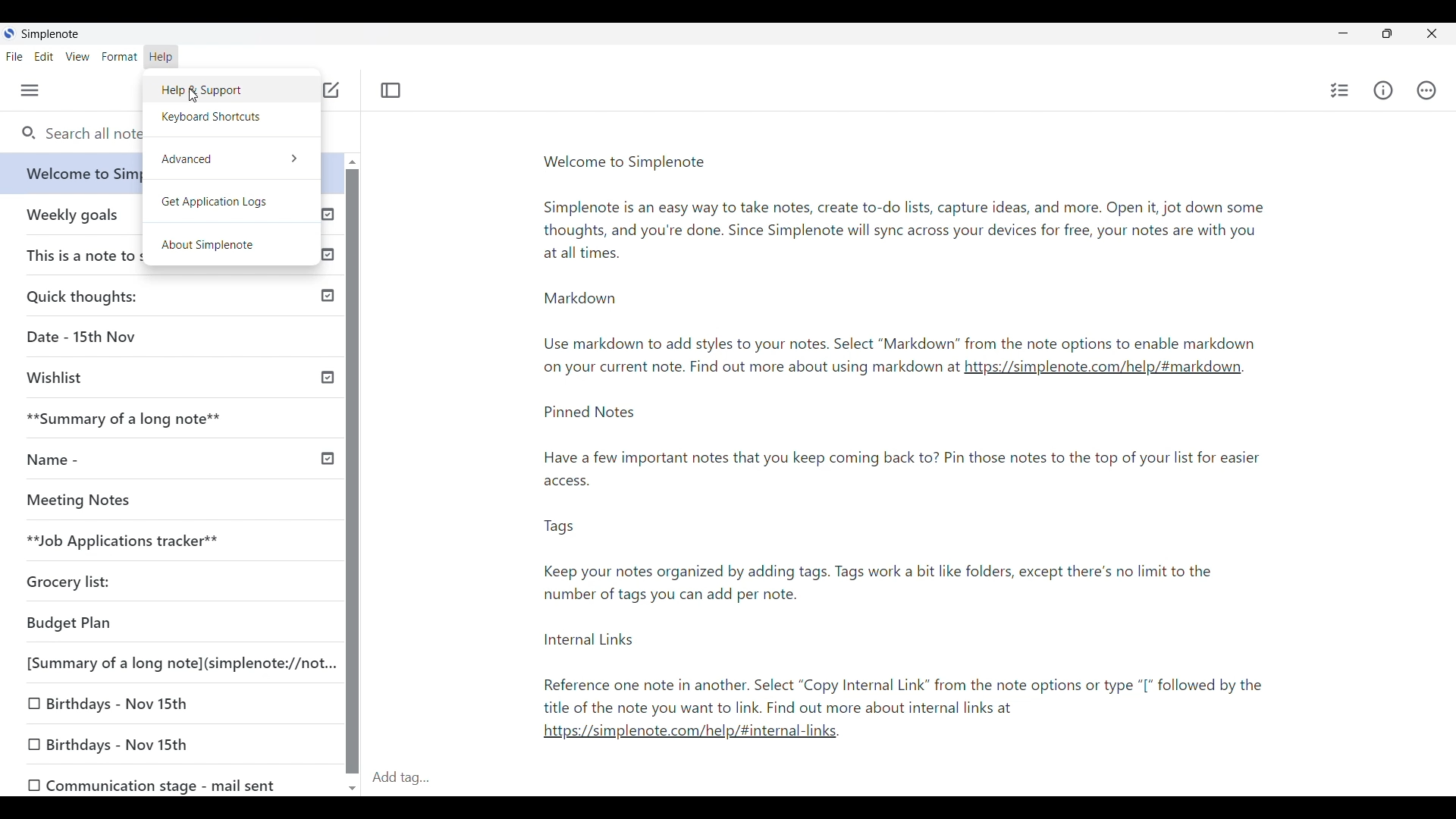 This screenshot has width=1456, height=819. I want to click on , so click(326, 377).